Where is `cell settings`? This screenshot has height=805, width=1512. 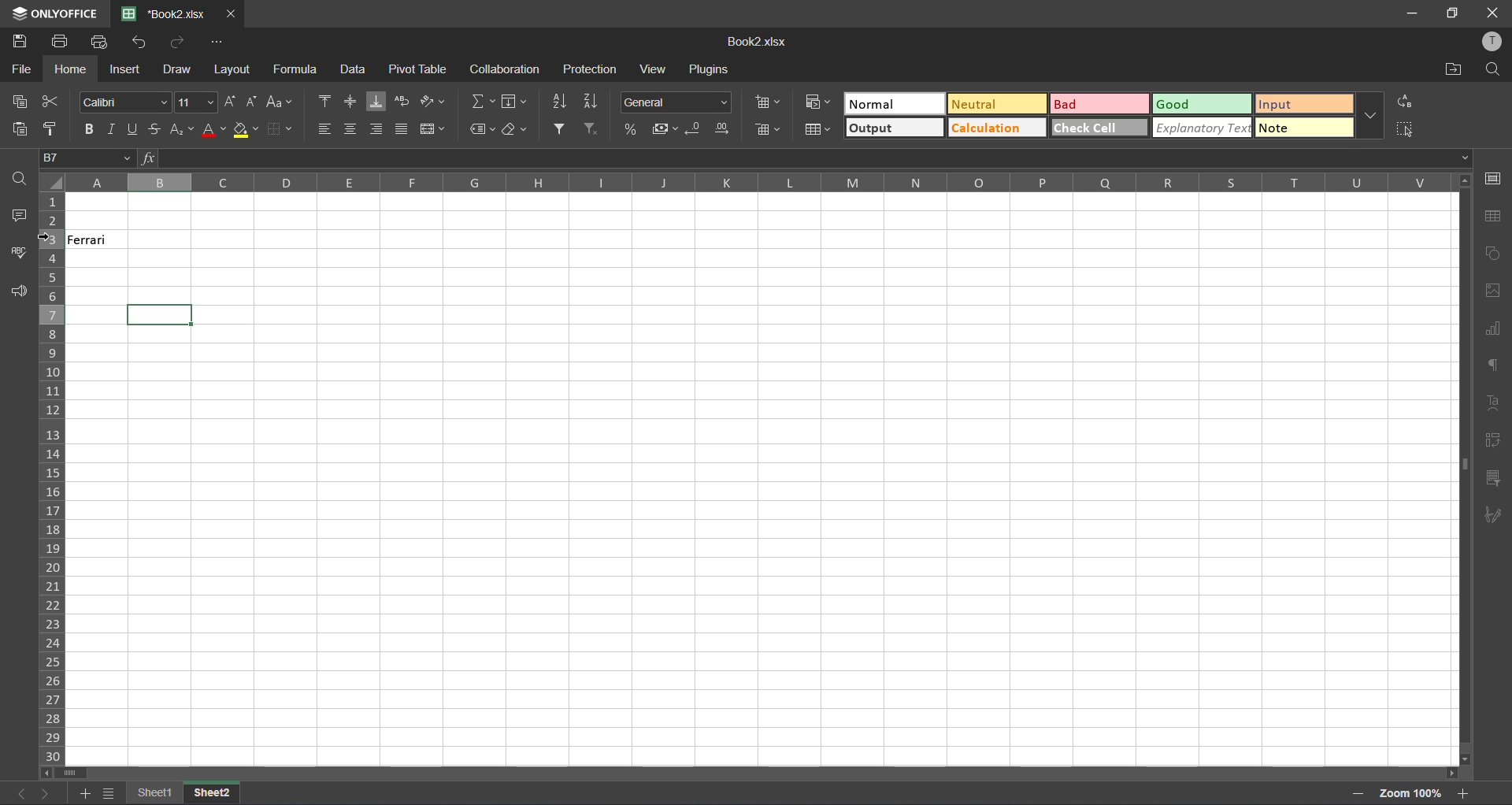
cell settings is located at coordinates (1497, 178).